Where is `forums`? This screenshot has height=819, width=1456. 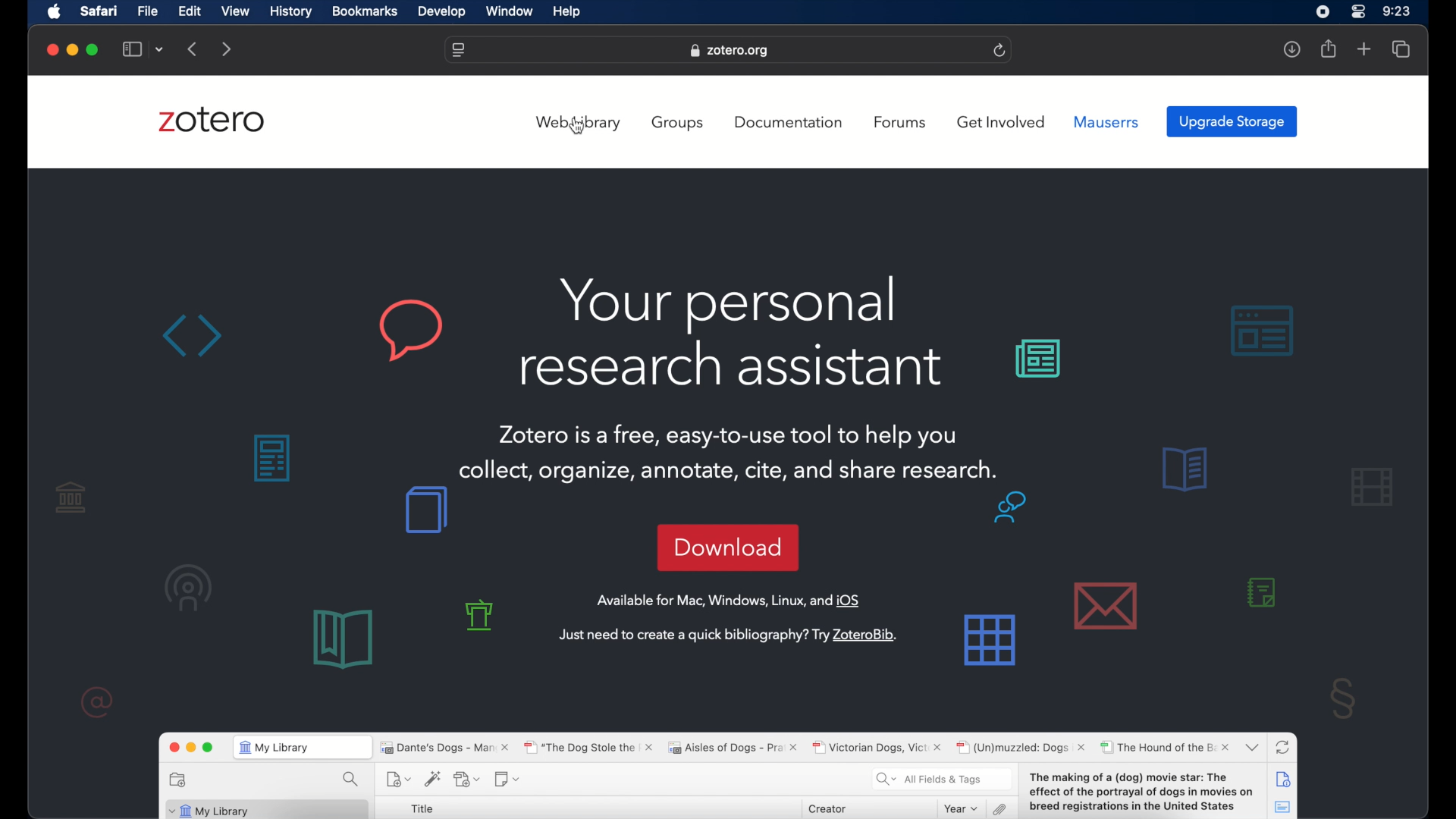 forums is located at coordinates (902, 122).